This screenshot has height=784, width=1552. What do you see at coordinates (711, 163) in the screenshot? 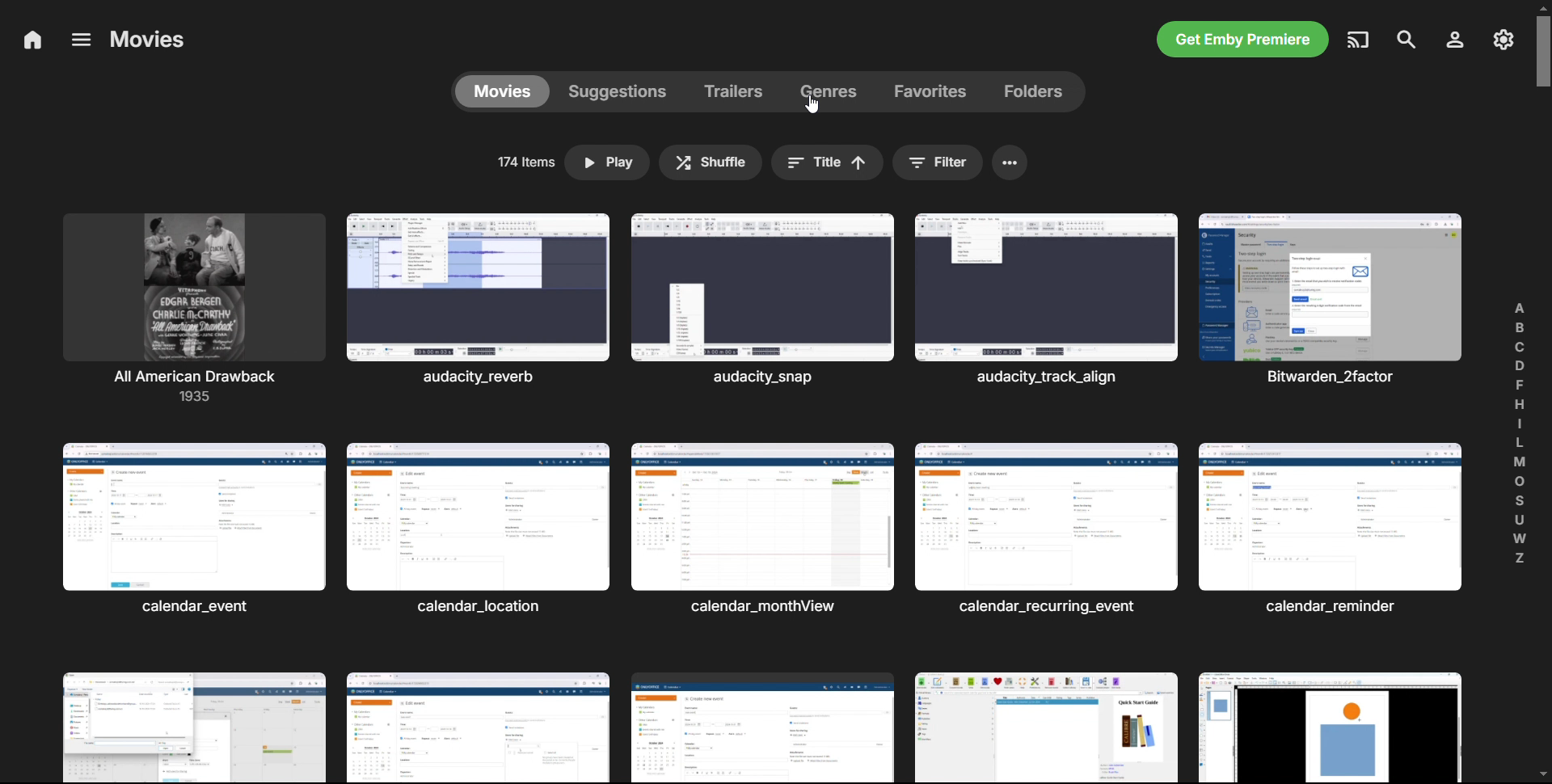
I see `shuffle` at bounding box center [711, 163].